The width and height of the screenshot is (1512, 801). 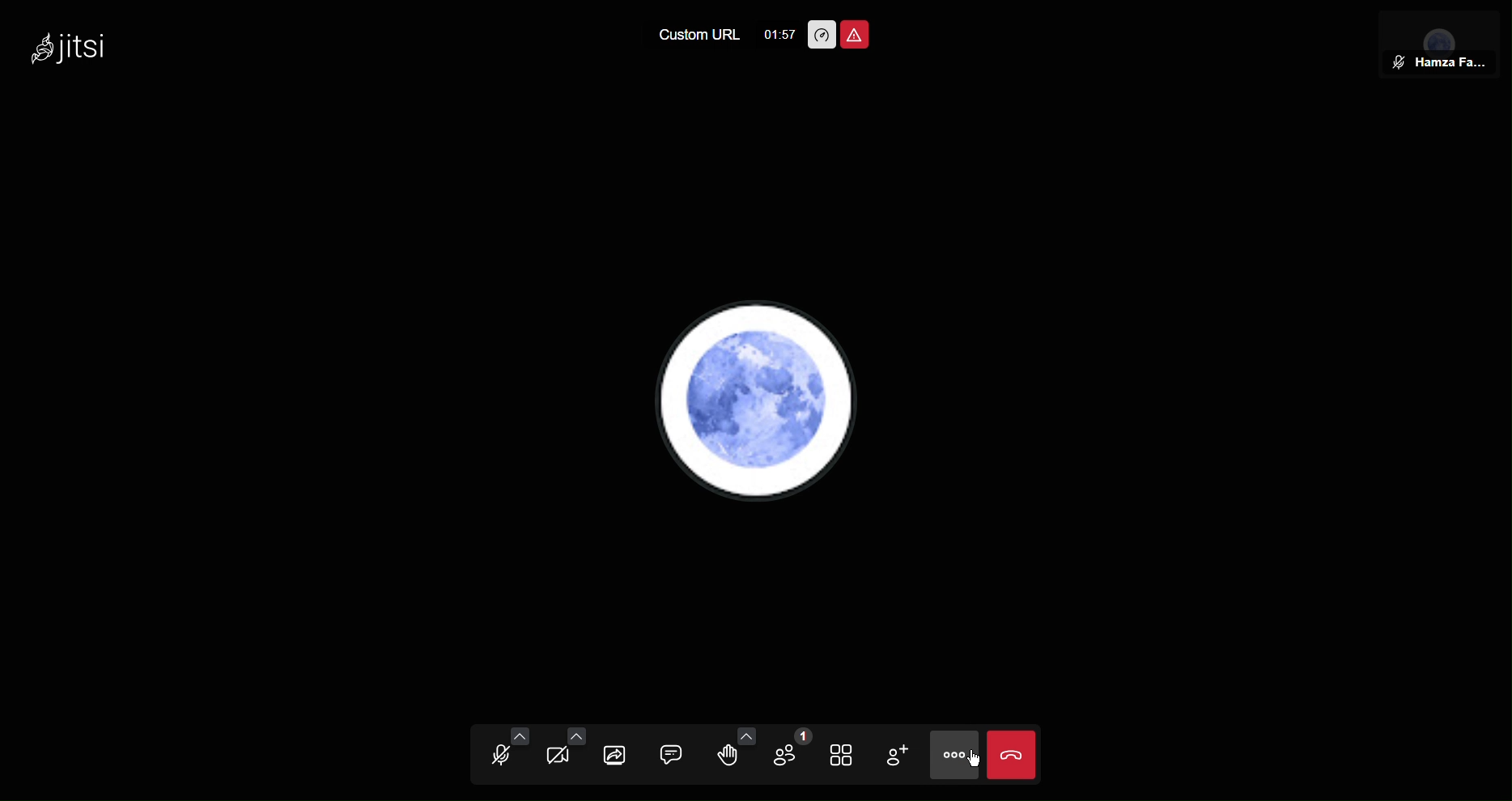 What do you see at coordinates (953, 754) in the screenshot?
I see `More` at bounding box center [953, 754].